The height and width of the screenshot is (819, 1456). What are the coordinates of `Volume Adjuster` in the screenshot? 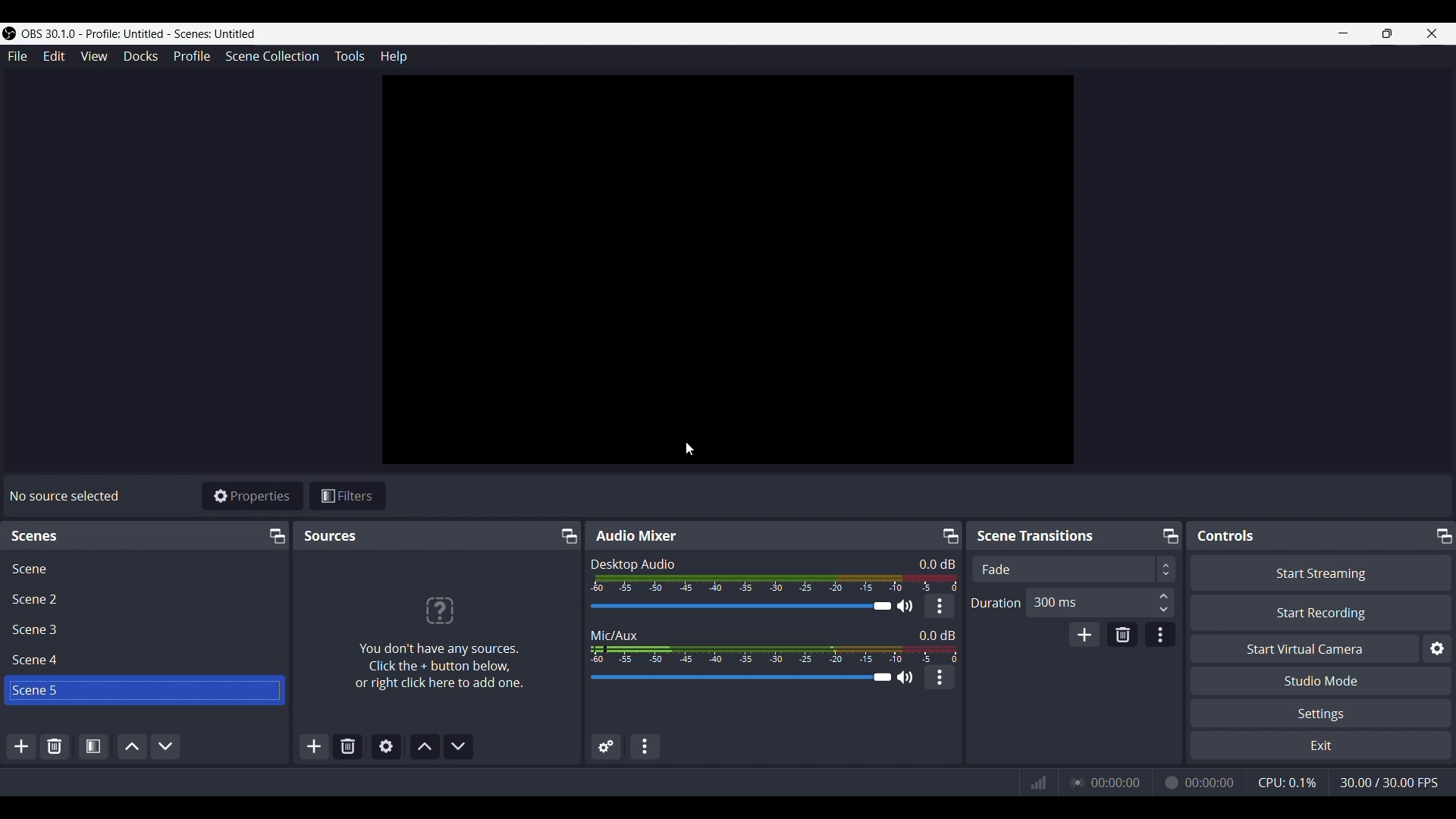 It's located at (750, 607).